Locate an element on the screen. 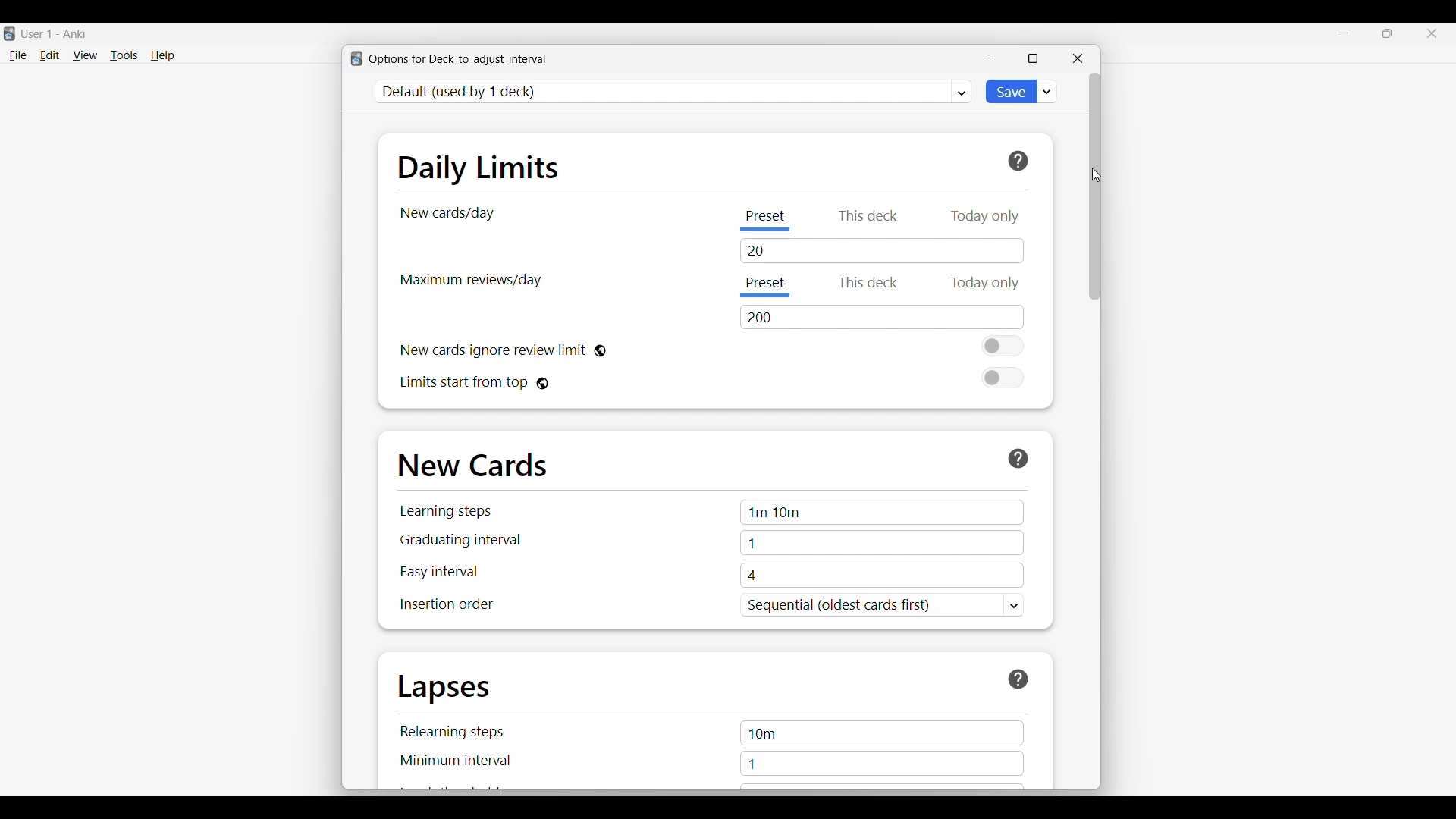 Image resolution: width=1456 pixels, height=819 pixels. User 1 - Anki is located at coordinates (55, 35).